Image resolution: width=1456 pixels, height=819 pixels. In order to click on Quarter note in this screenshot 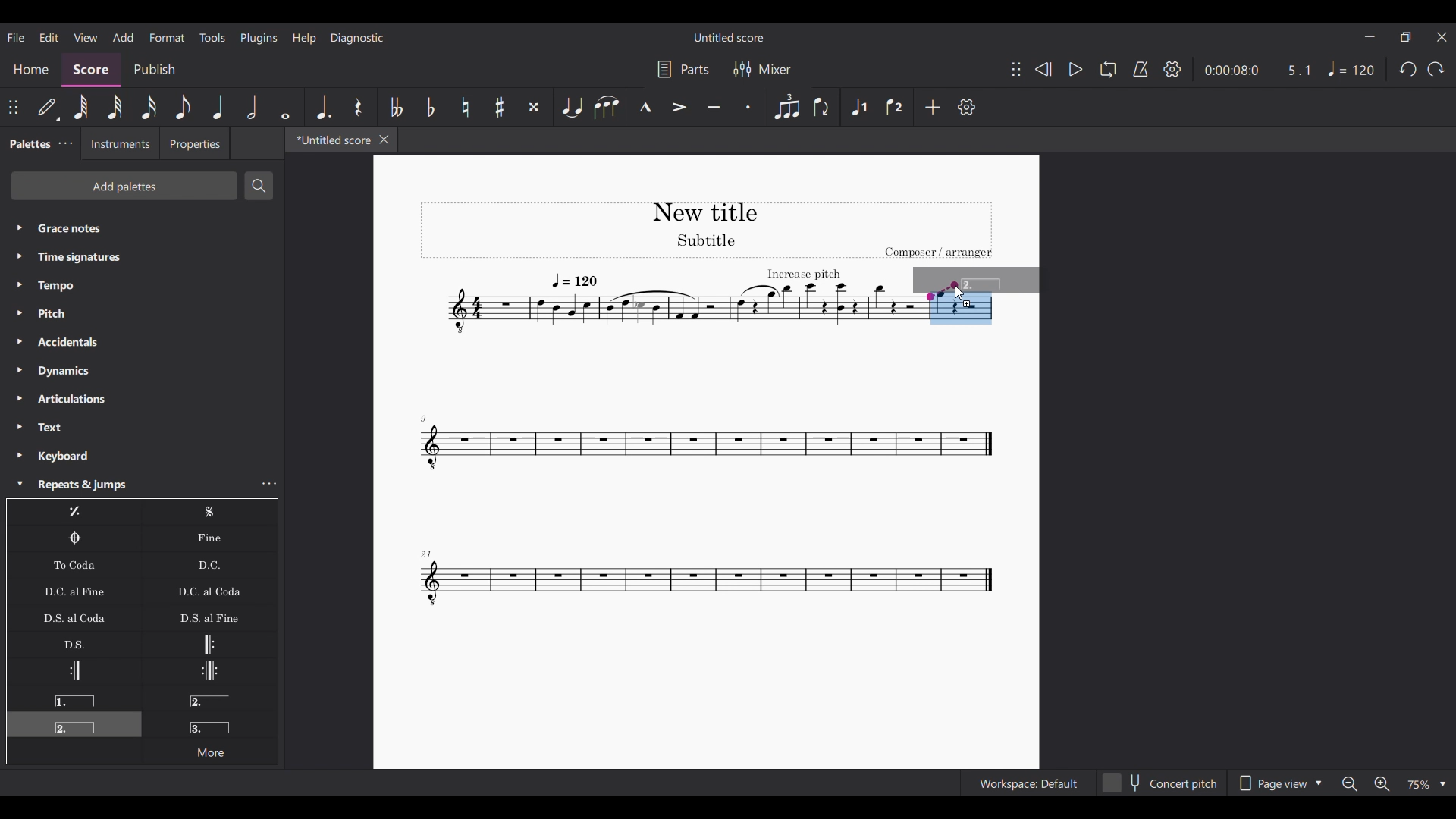, I will do `click(218, 107)`.